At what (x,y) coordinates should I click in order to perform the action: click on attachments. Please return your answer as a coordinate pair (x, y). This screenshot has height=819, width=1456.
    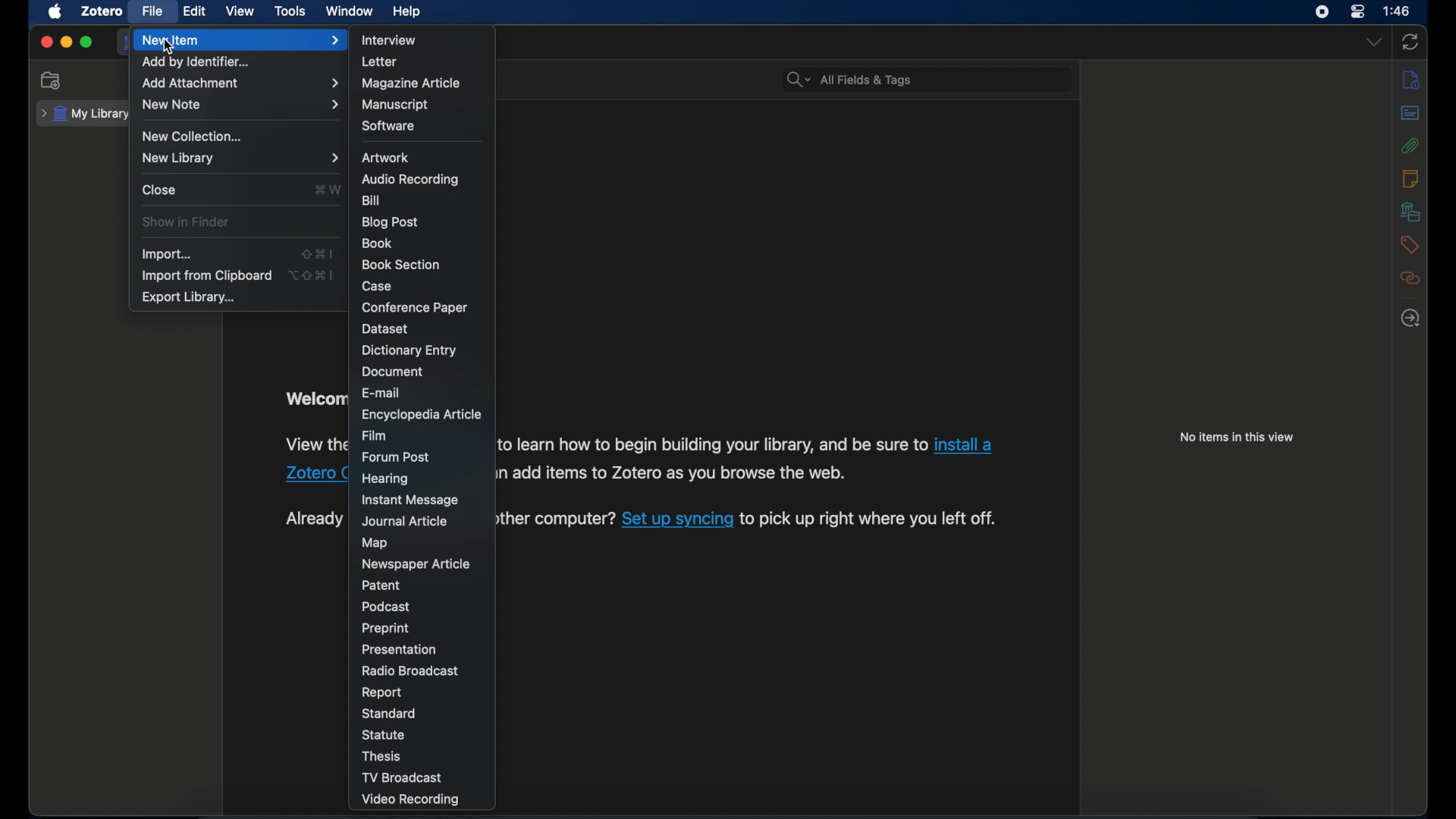
    Looking at the image, I should click on (1410, 146).